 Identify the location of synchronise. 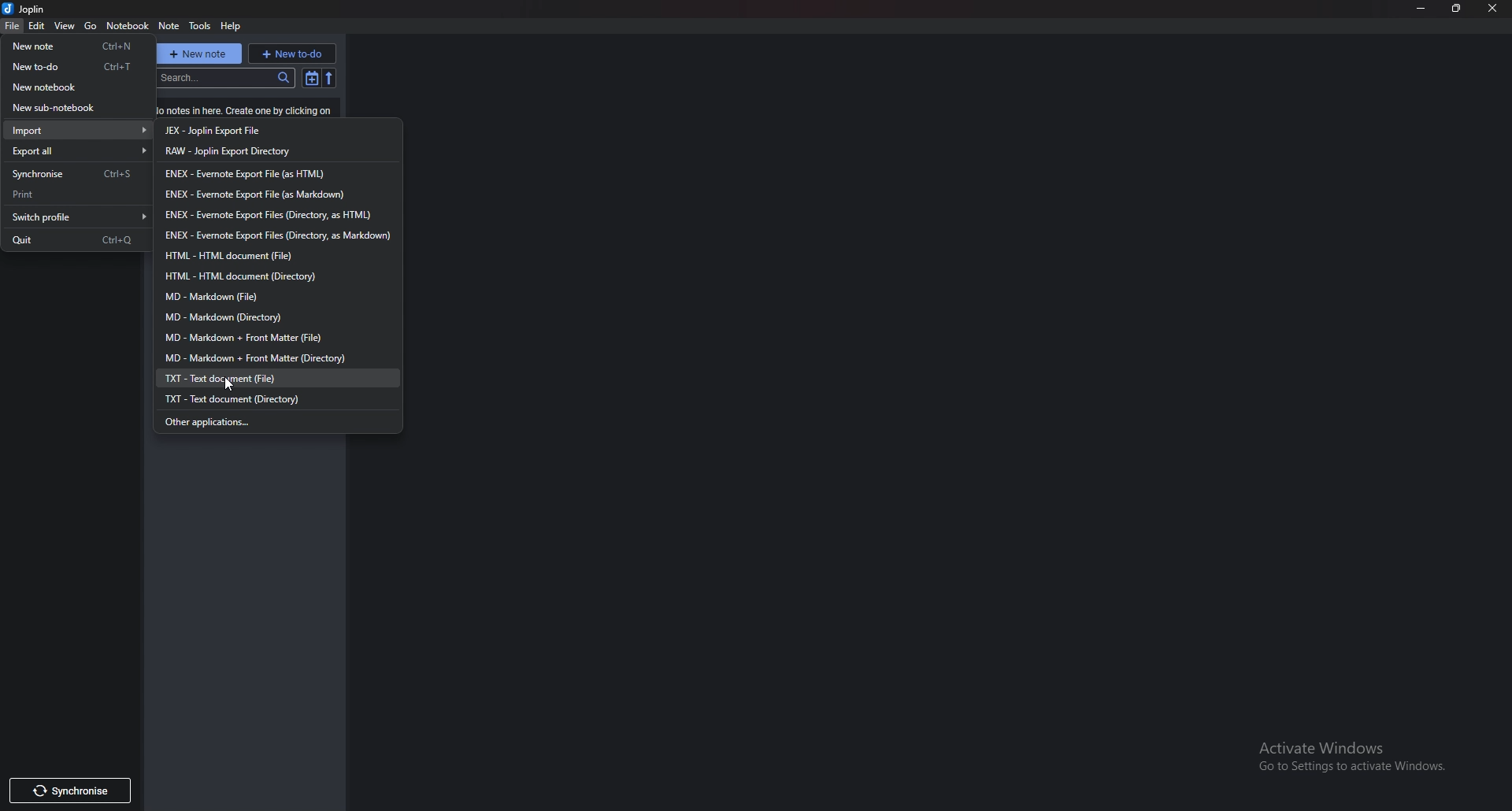
(80, 789).